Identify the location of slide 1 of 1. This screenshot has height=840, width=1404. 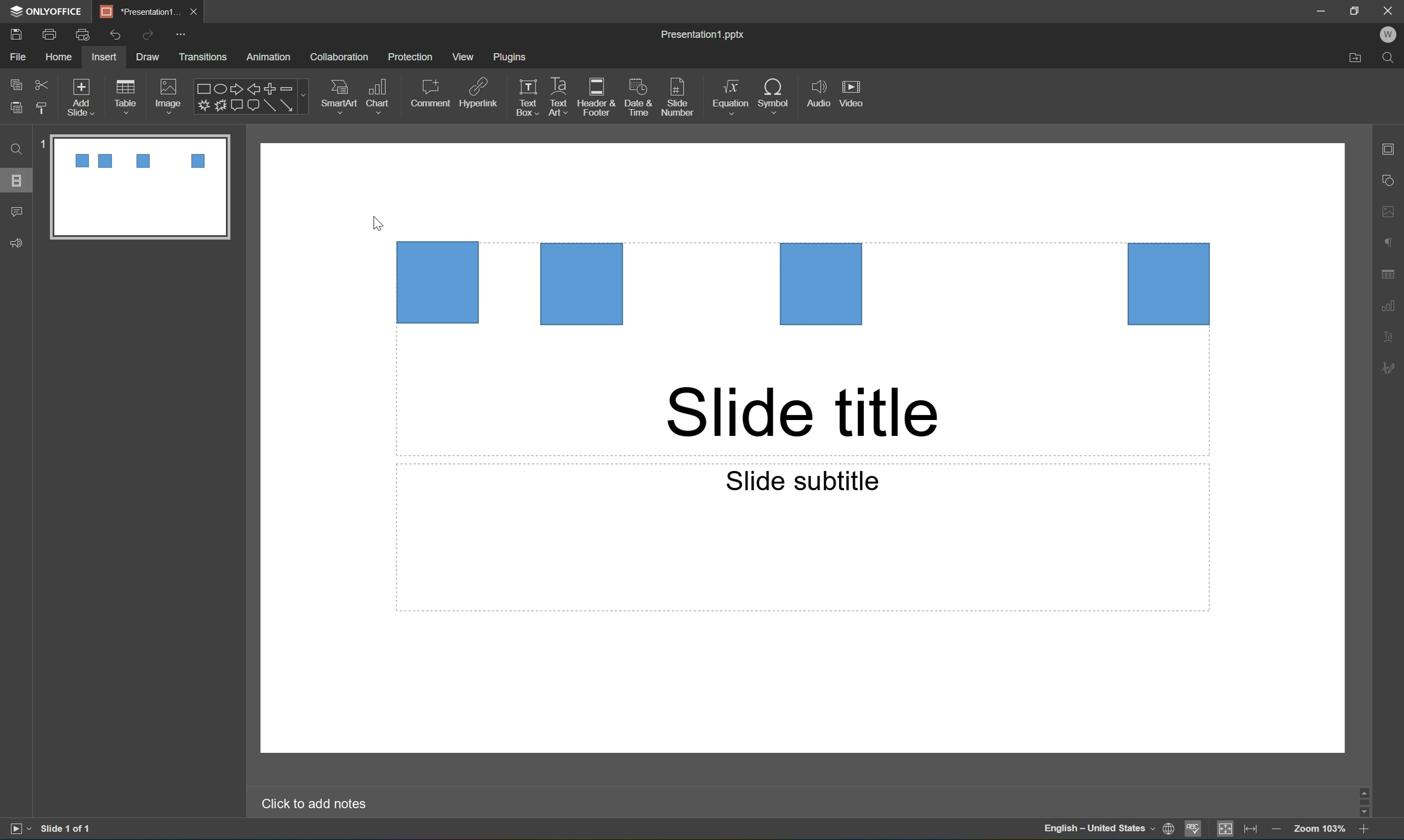
(66, 830).